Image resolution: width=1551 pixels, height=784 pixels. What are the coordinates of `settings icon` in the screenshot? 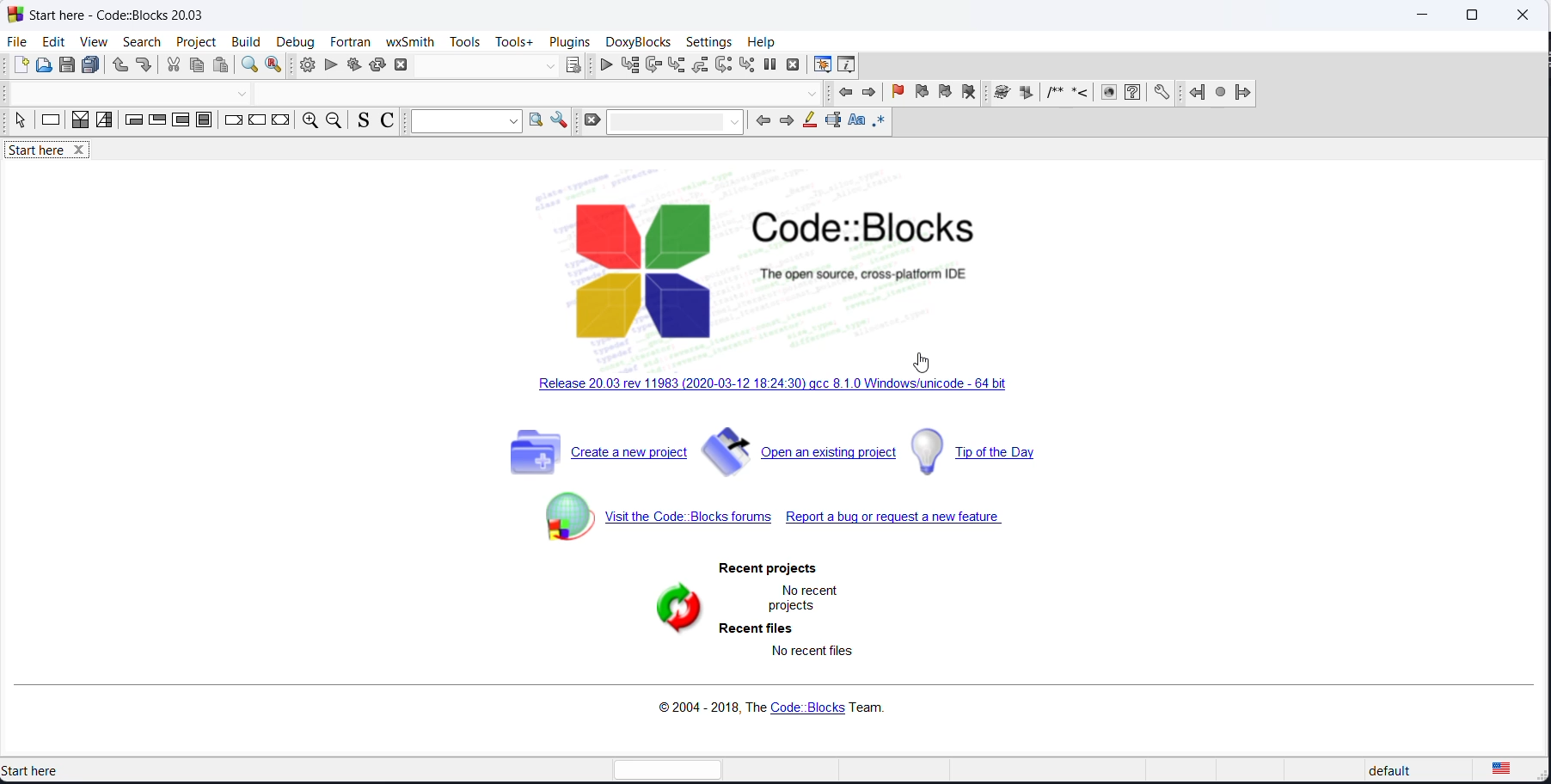 It's located at (1162, 93).